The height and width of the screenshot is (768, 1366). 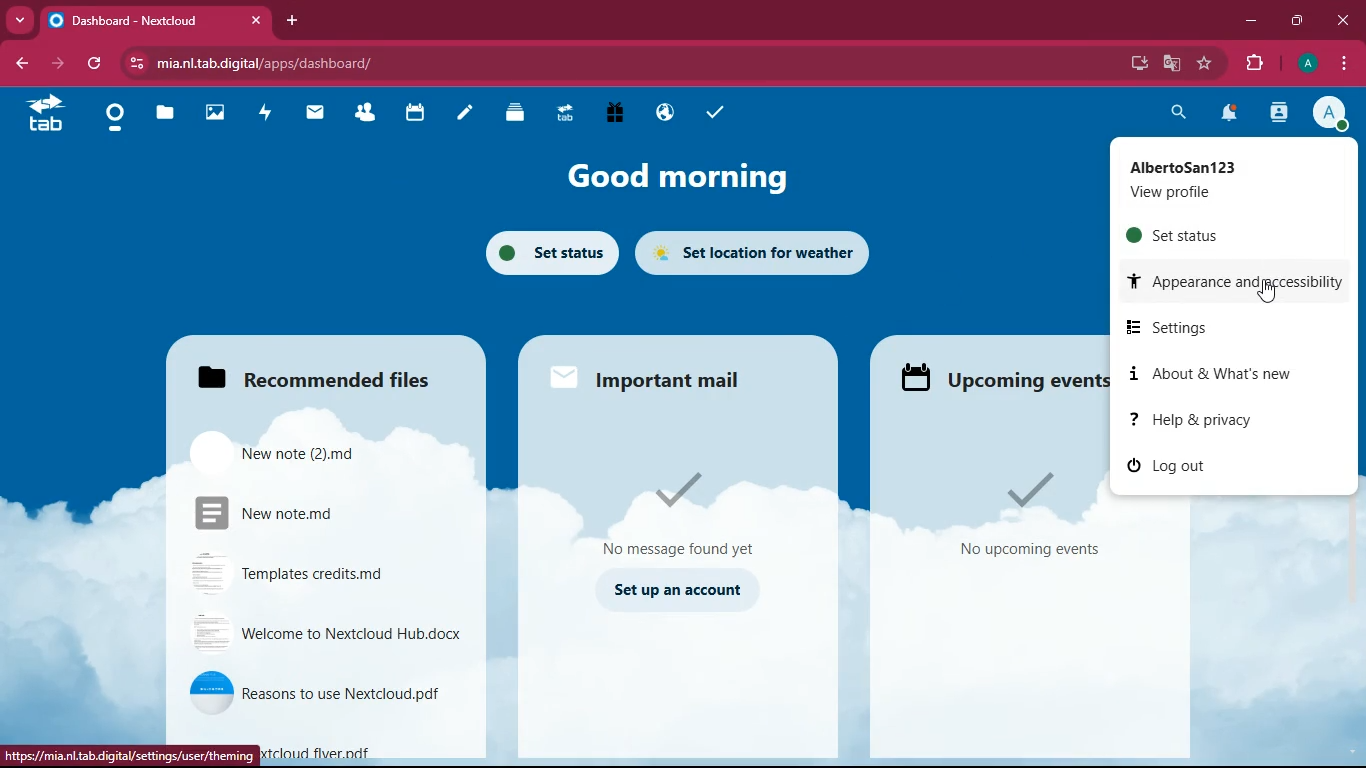 I want to click on tab, so click(x=571, y=114).